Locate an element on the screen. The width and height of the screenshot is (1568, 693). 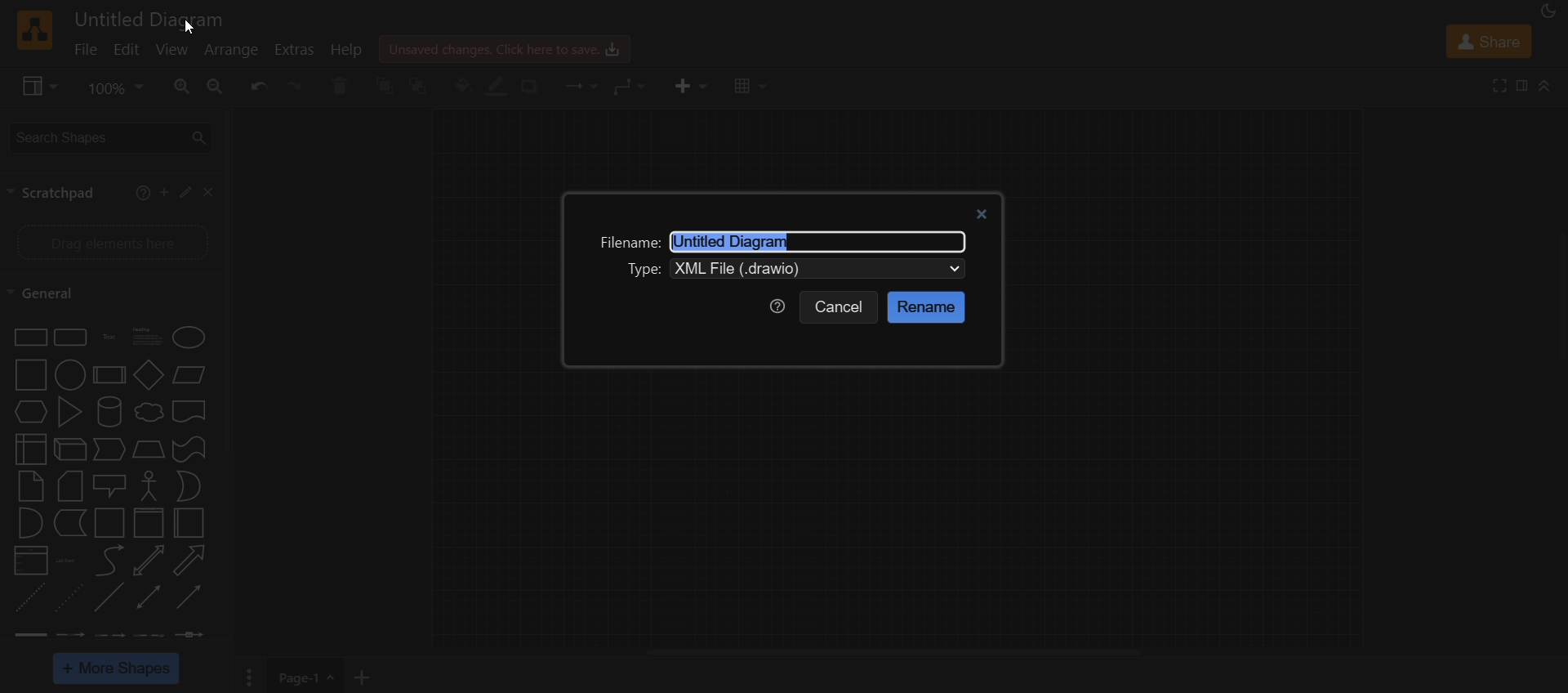
line color is located at coordinates (497, 86).